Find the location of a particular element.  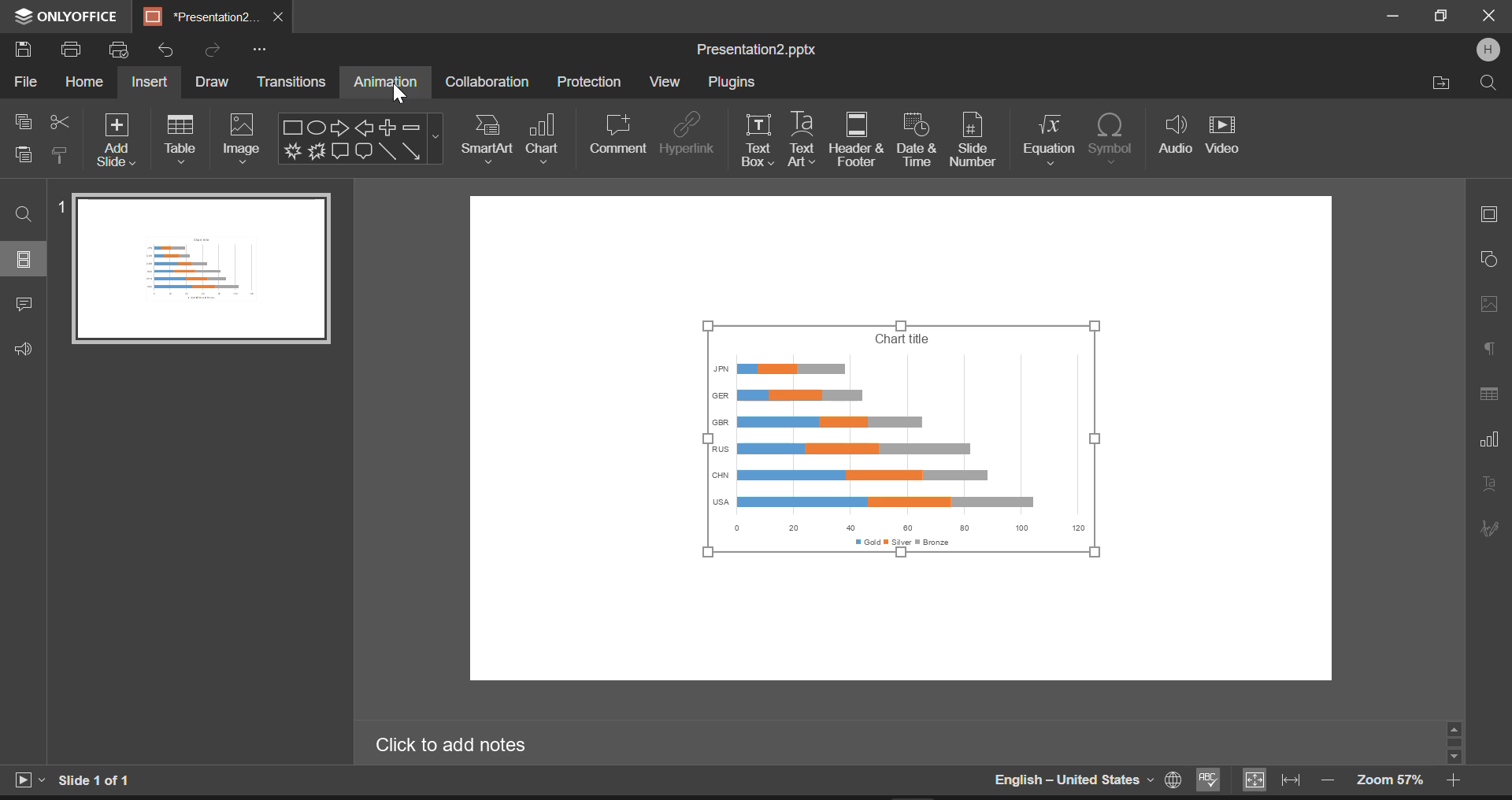

Date & time is located at coordinates (917, 139).